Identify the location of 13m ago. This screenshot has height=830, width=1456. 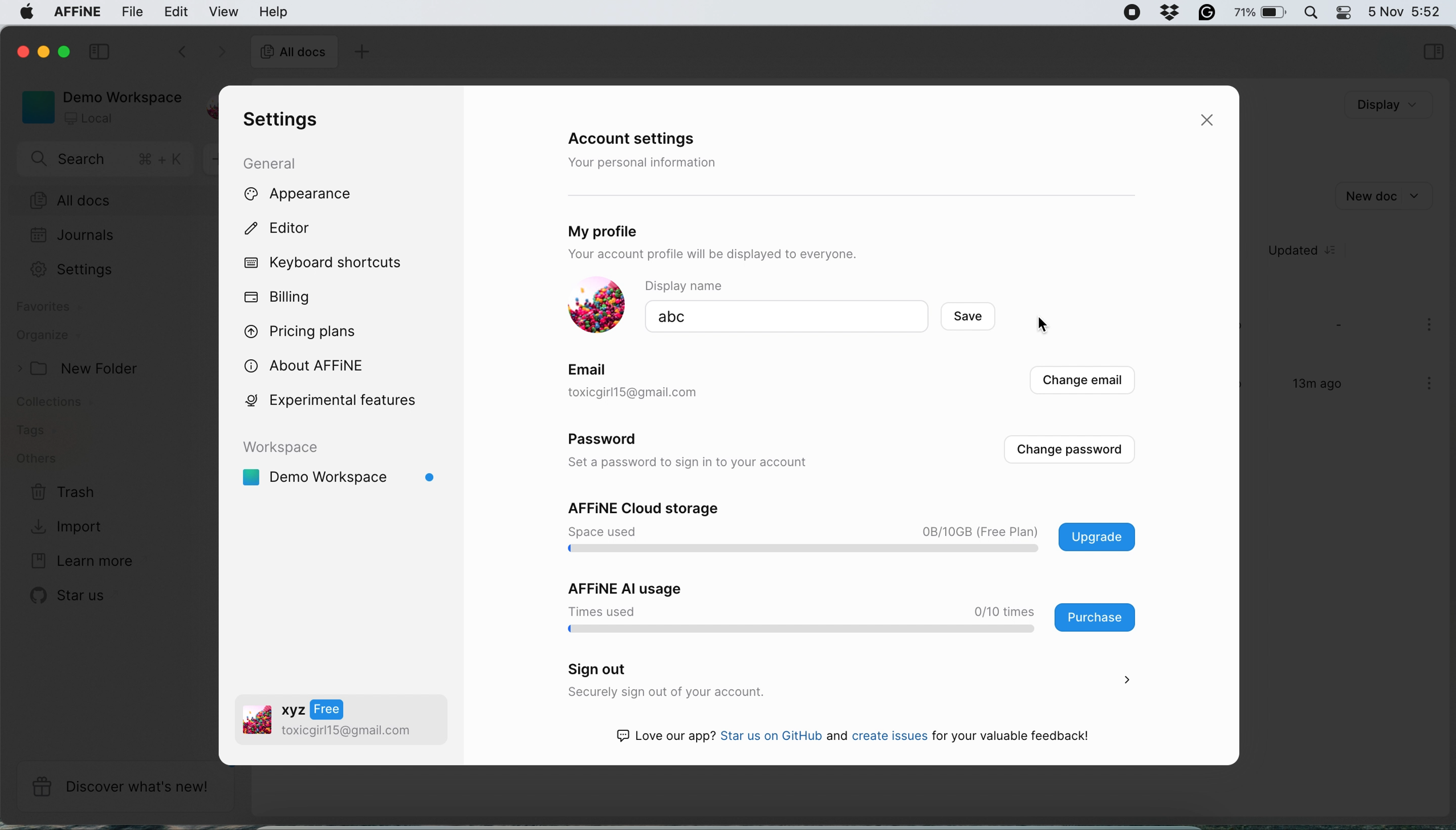
(1309, 389).